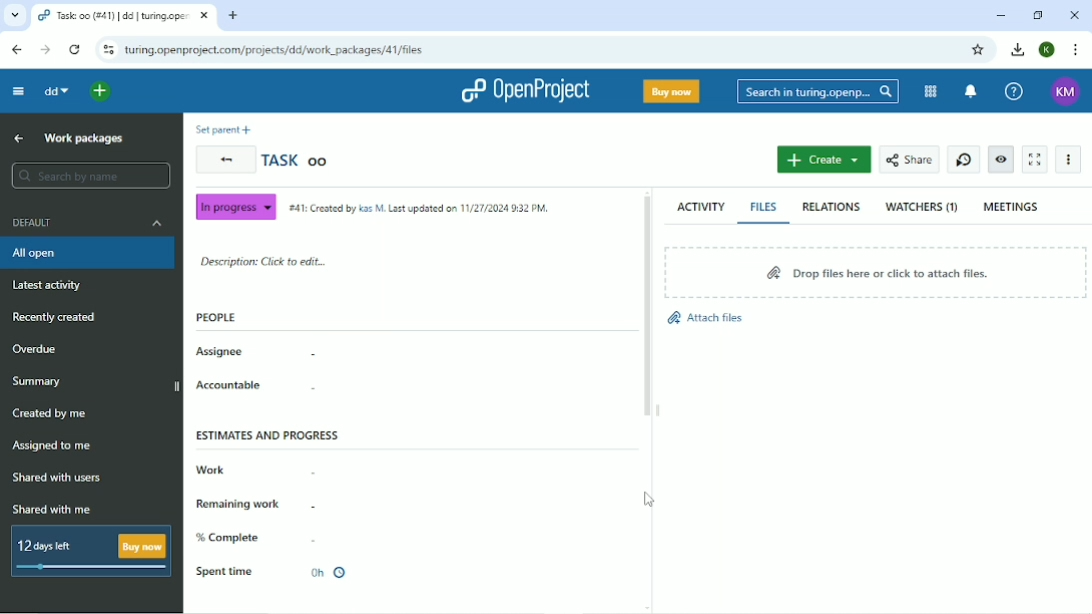 This screenshot has height=614, width=1092. I want to click on Meetings, so click(1014, 205).